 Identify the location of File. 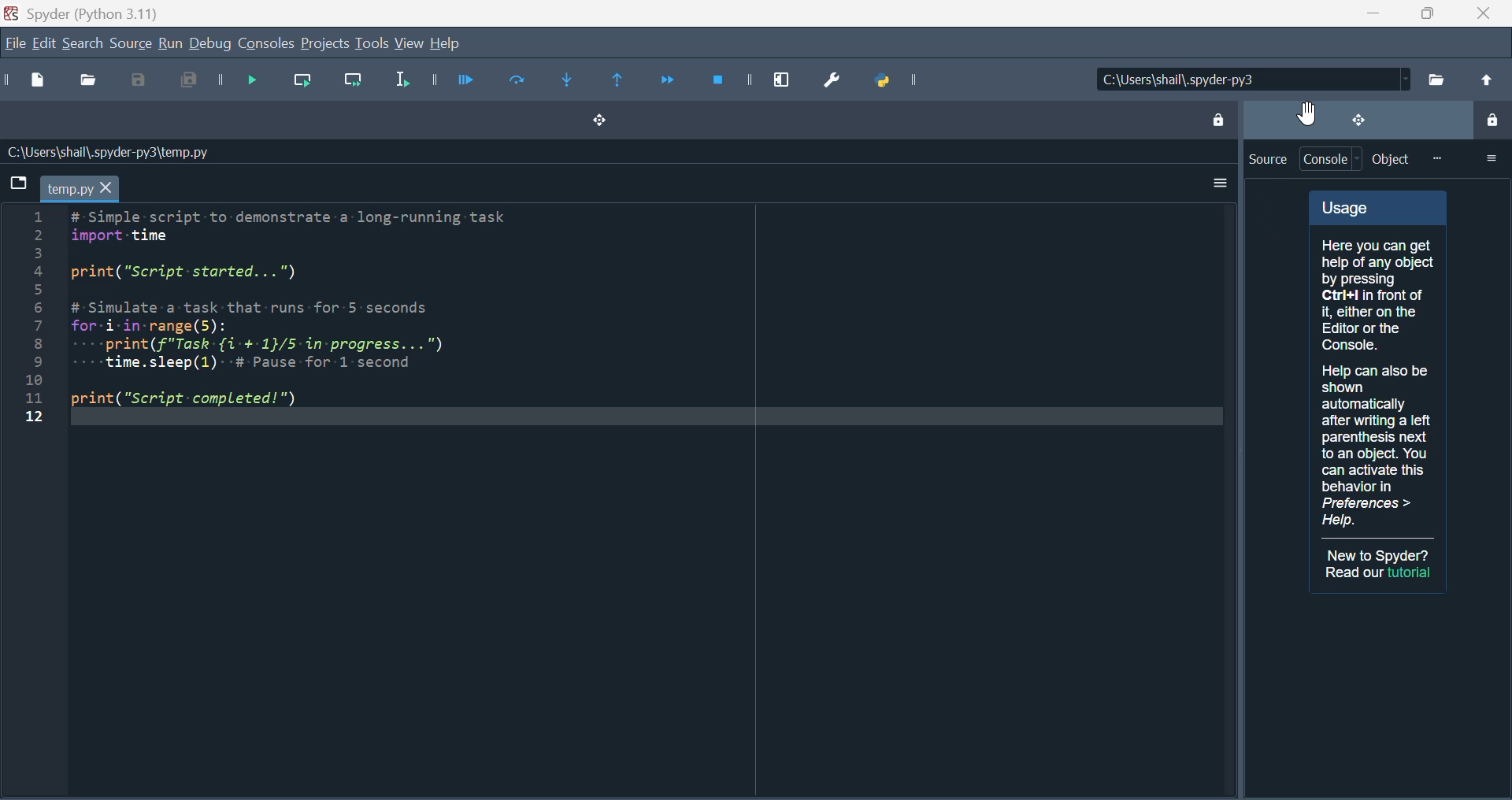
(13, 45).